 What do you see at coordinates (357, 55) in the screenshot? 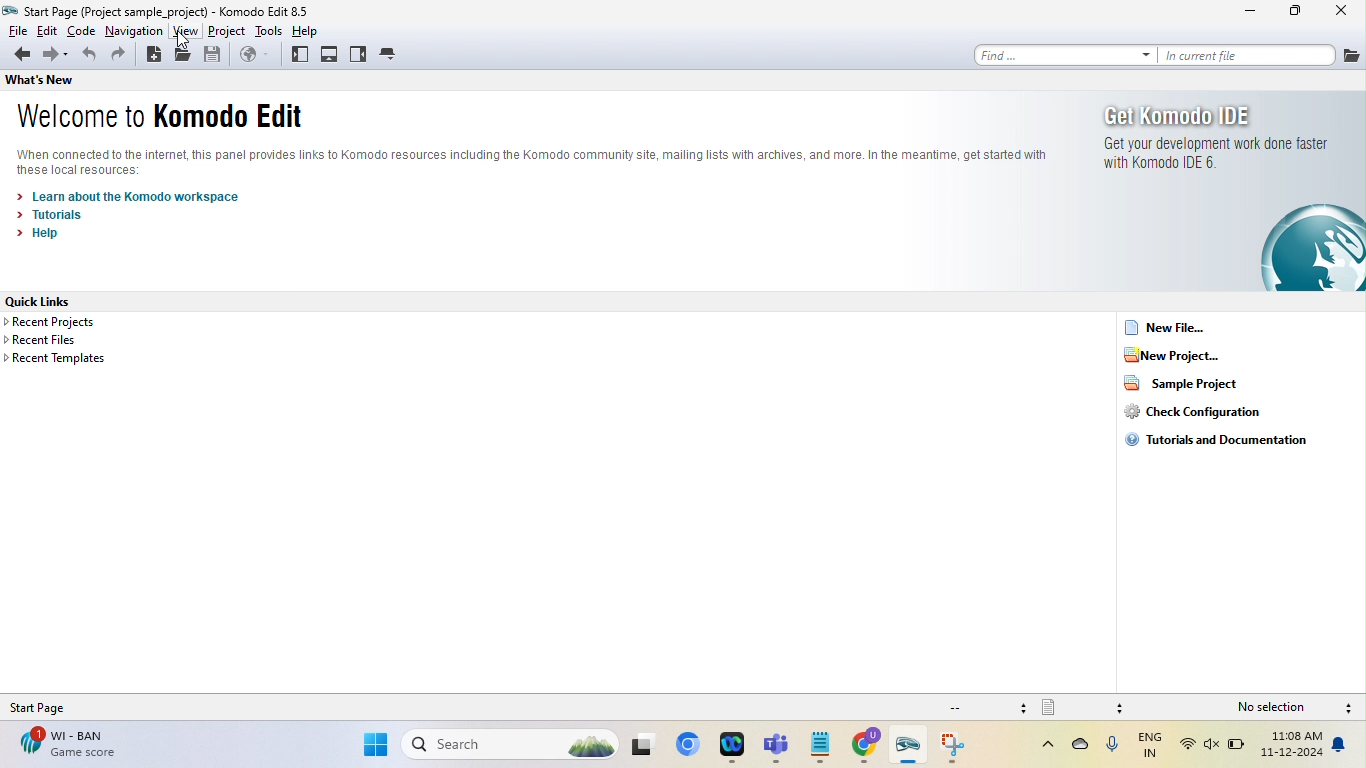
I see `right pane` at bounding box center [357, 55].